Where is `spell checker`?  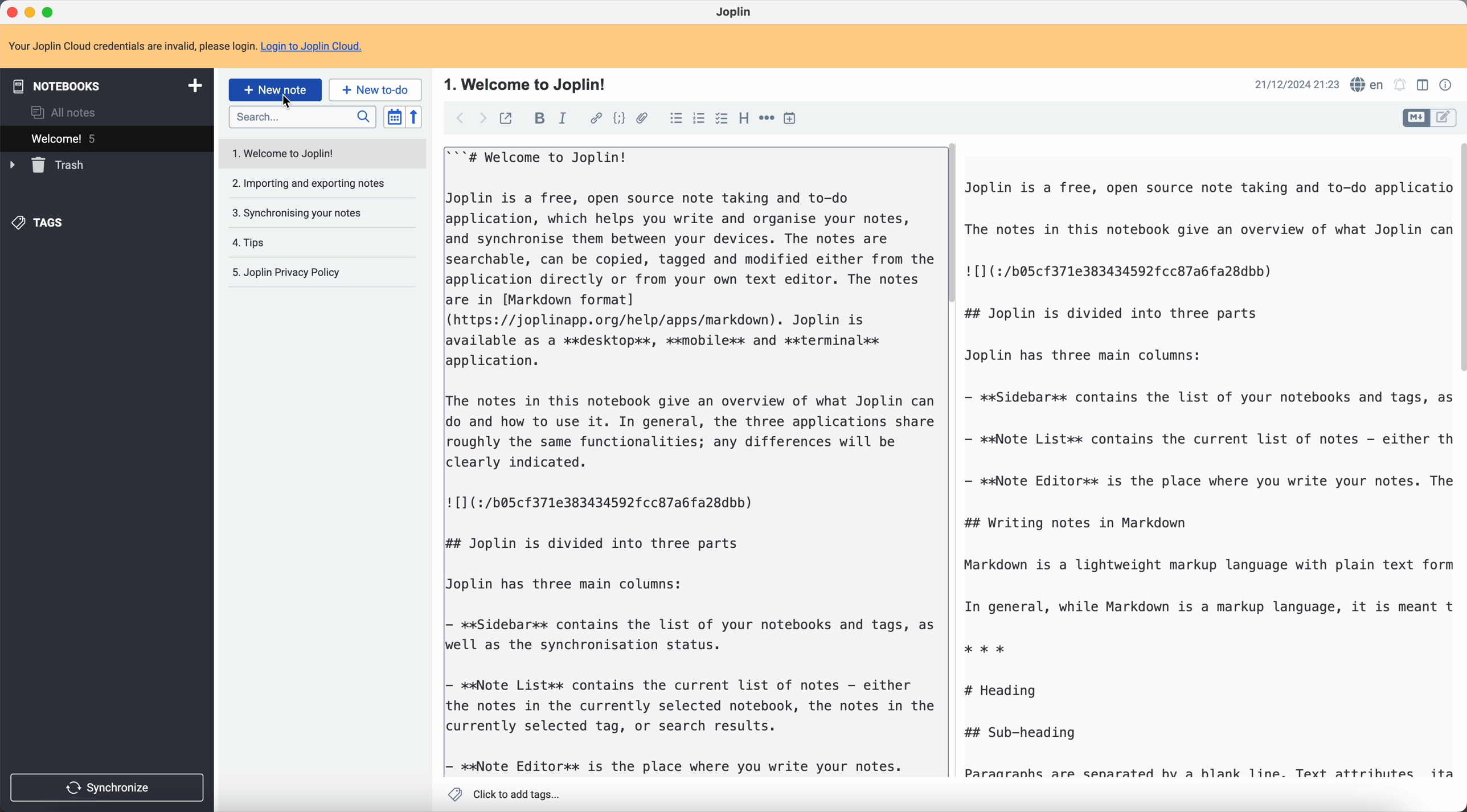
spell checker is located at coordinates (1366, 85).